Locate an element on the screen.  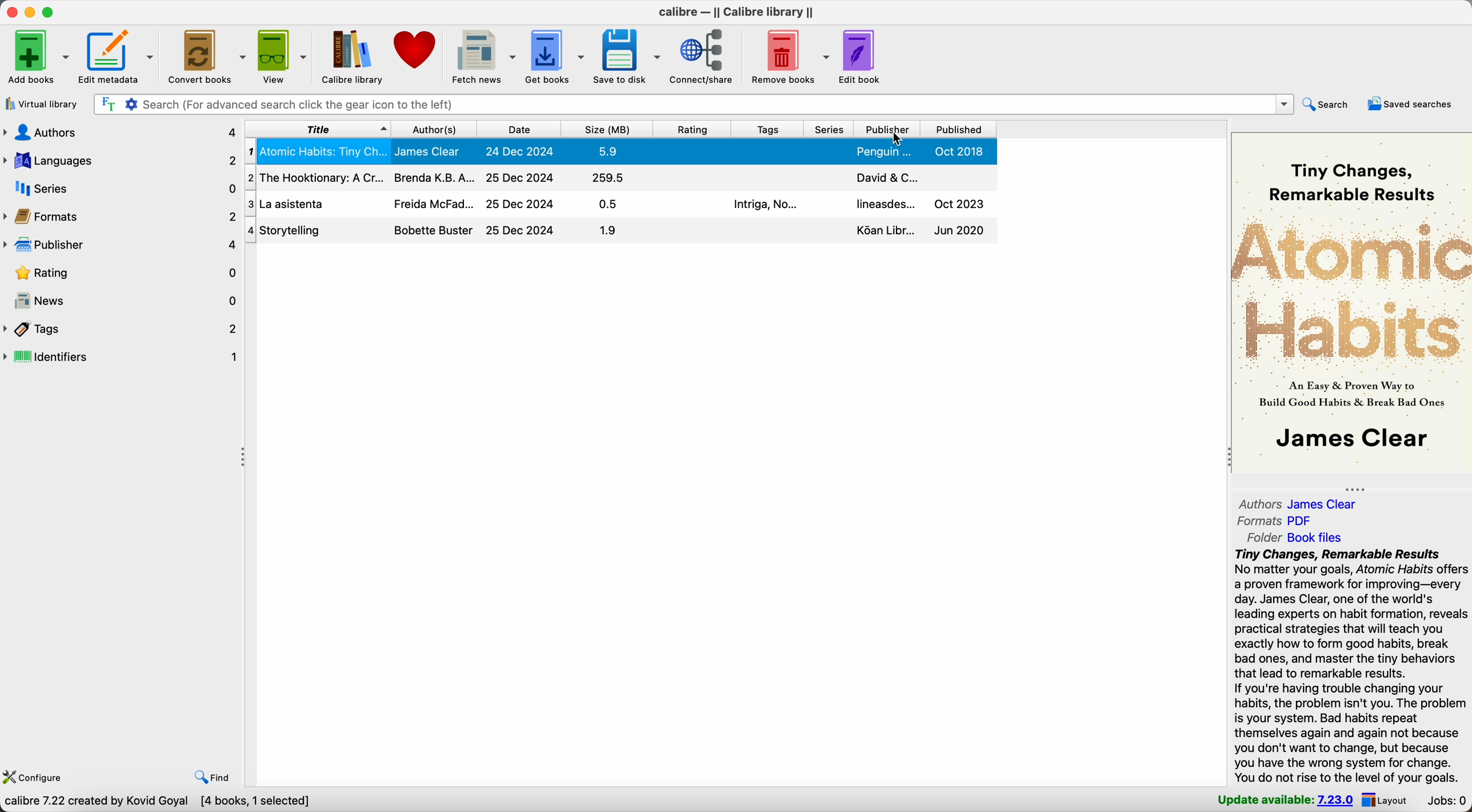
25 Dec 2024 is located at coordinates (521, 204).